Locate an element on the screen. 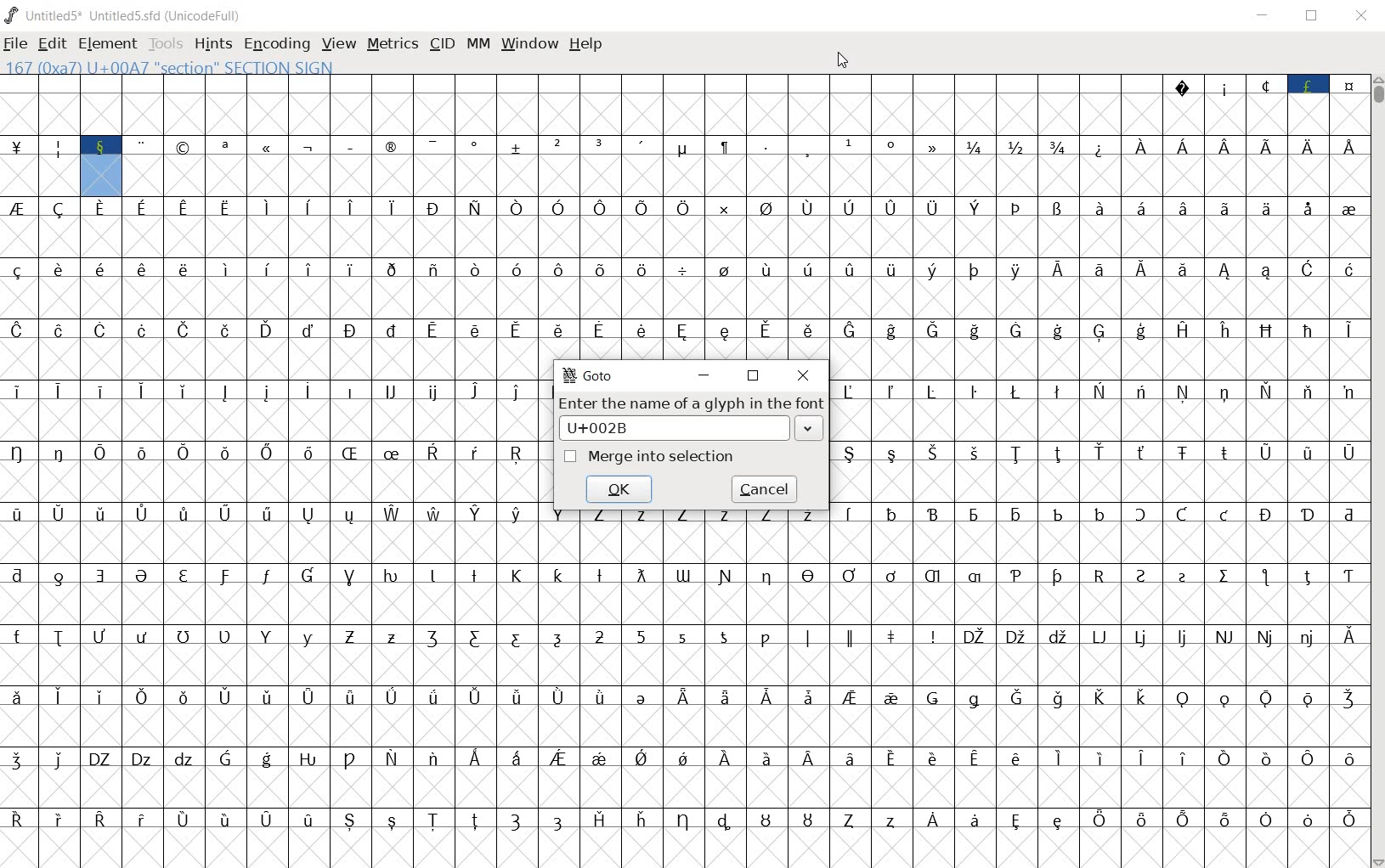 The width and height of the screenshot is (1385, 868). special characters is located at coordinates (228, 166).